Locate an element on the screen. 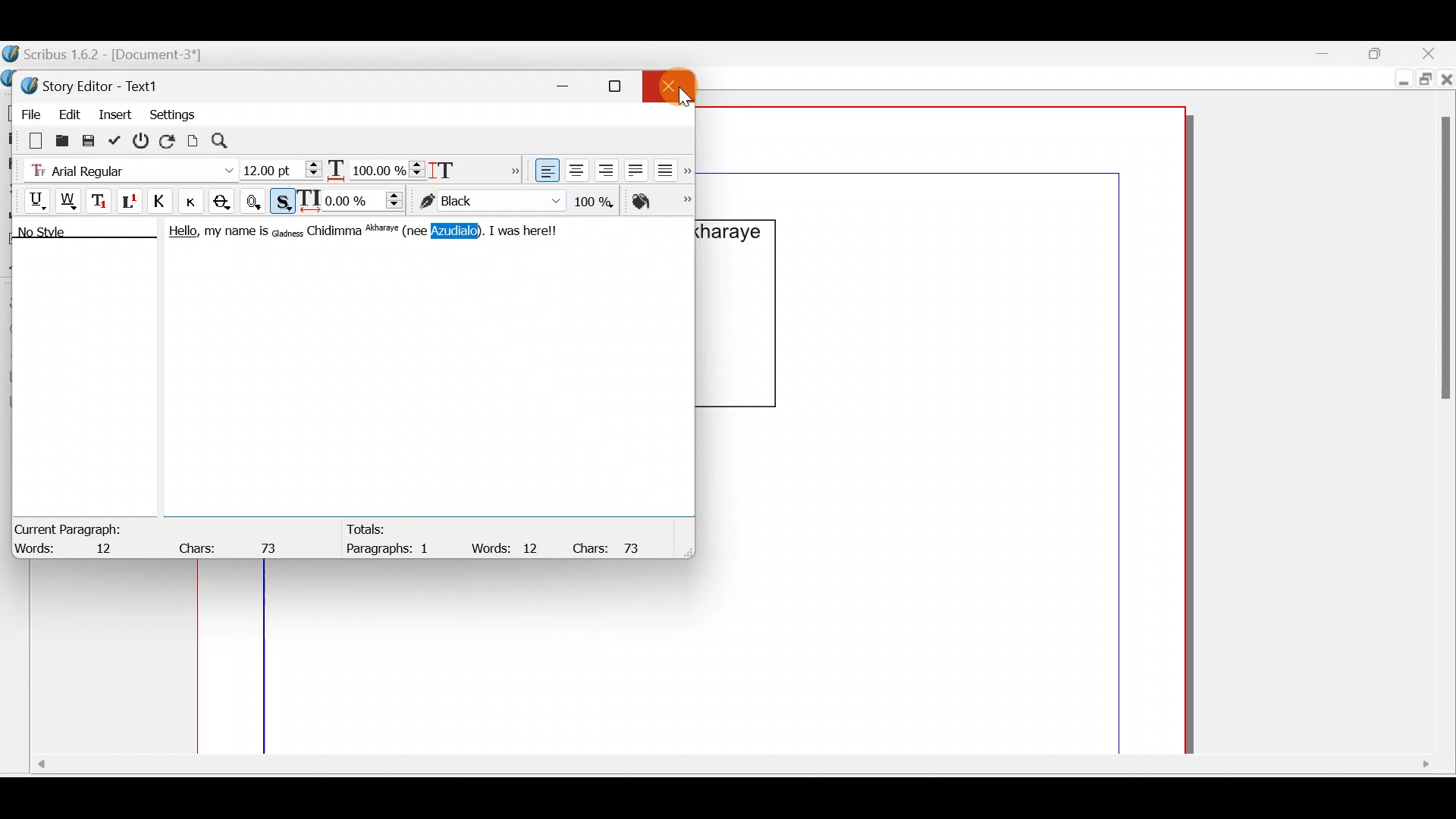 The width and height of the screenshot is (1456, 819). Small caps is located at coordinates (195, 200).